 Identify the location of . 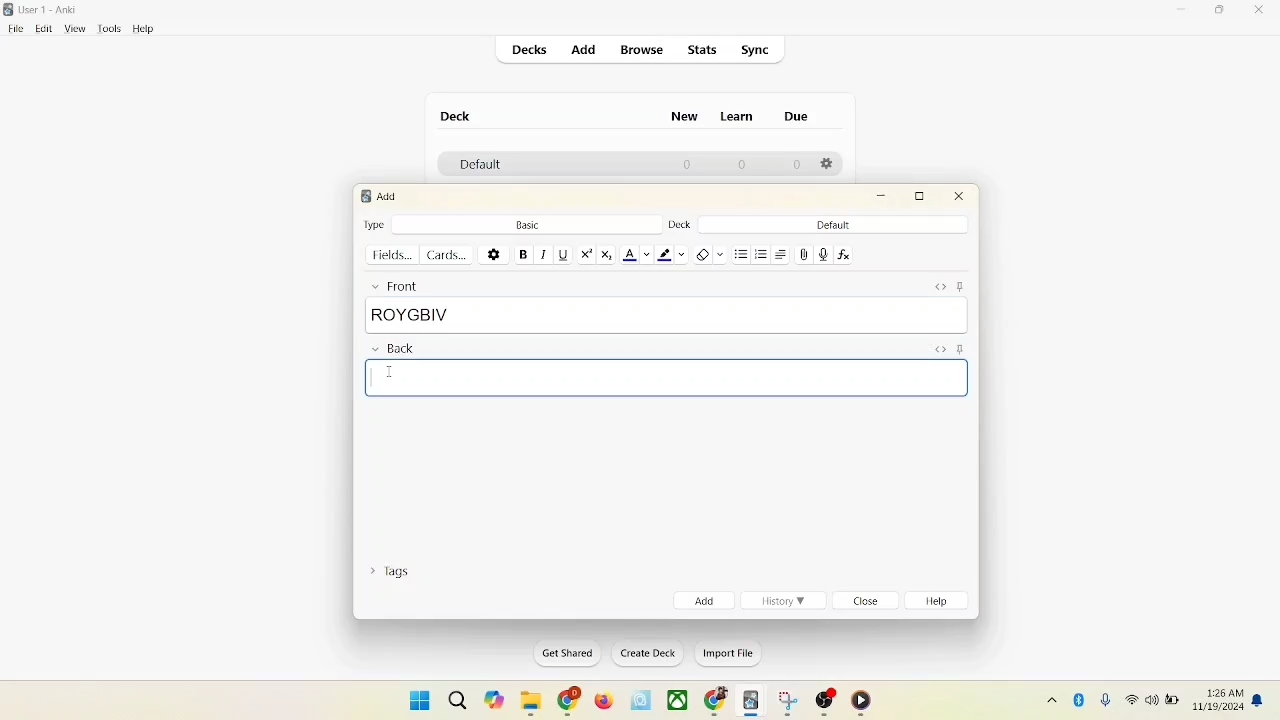
(689, 166).